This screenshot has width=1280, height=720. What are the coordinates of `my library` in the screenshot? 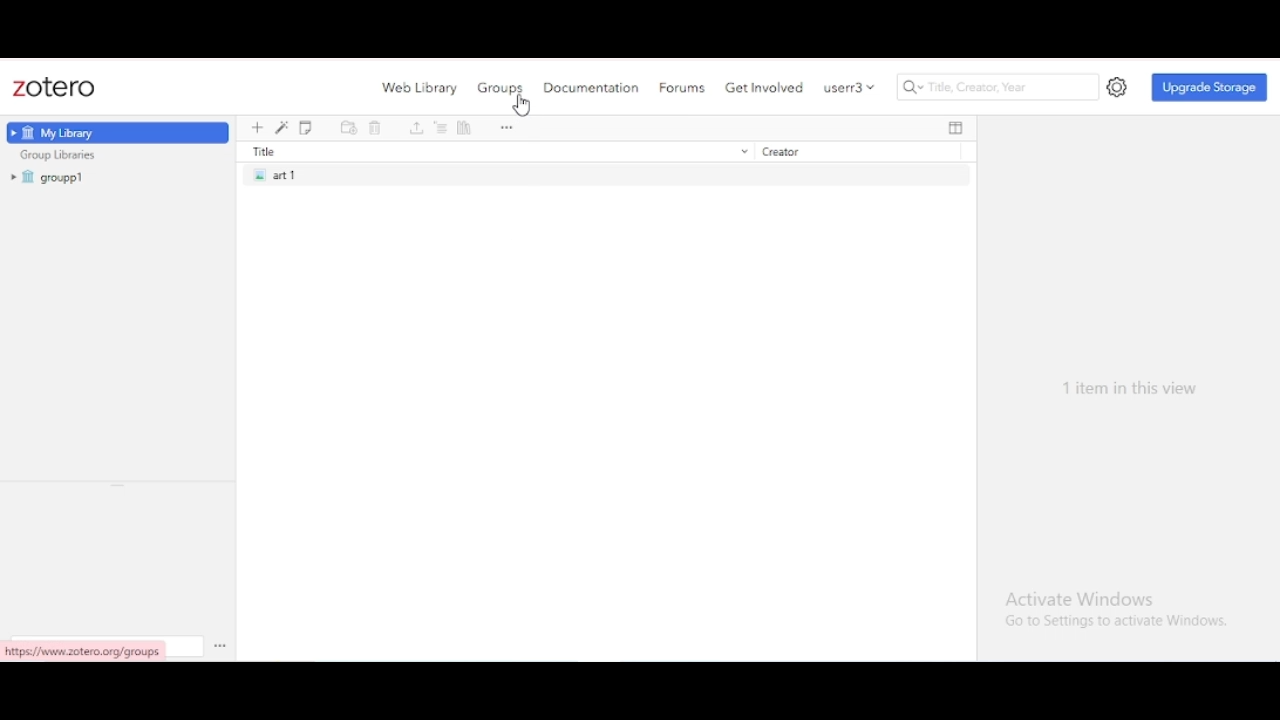 It's located at (118, 133).